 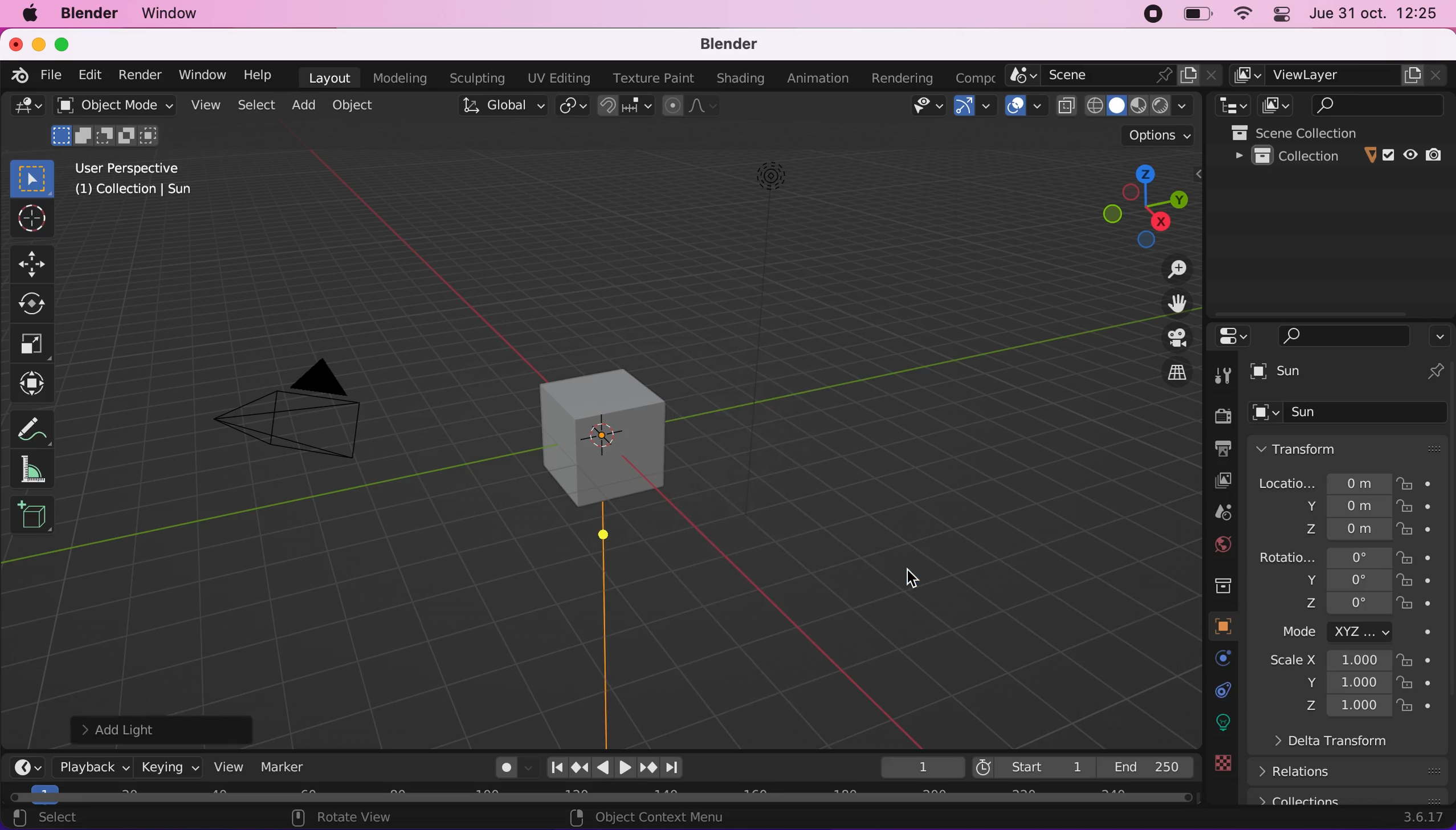 What do you see at coordinates (628, 107) in the screenshot?
I see `snapping` at bounding box center [628, 107].